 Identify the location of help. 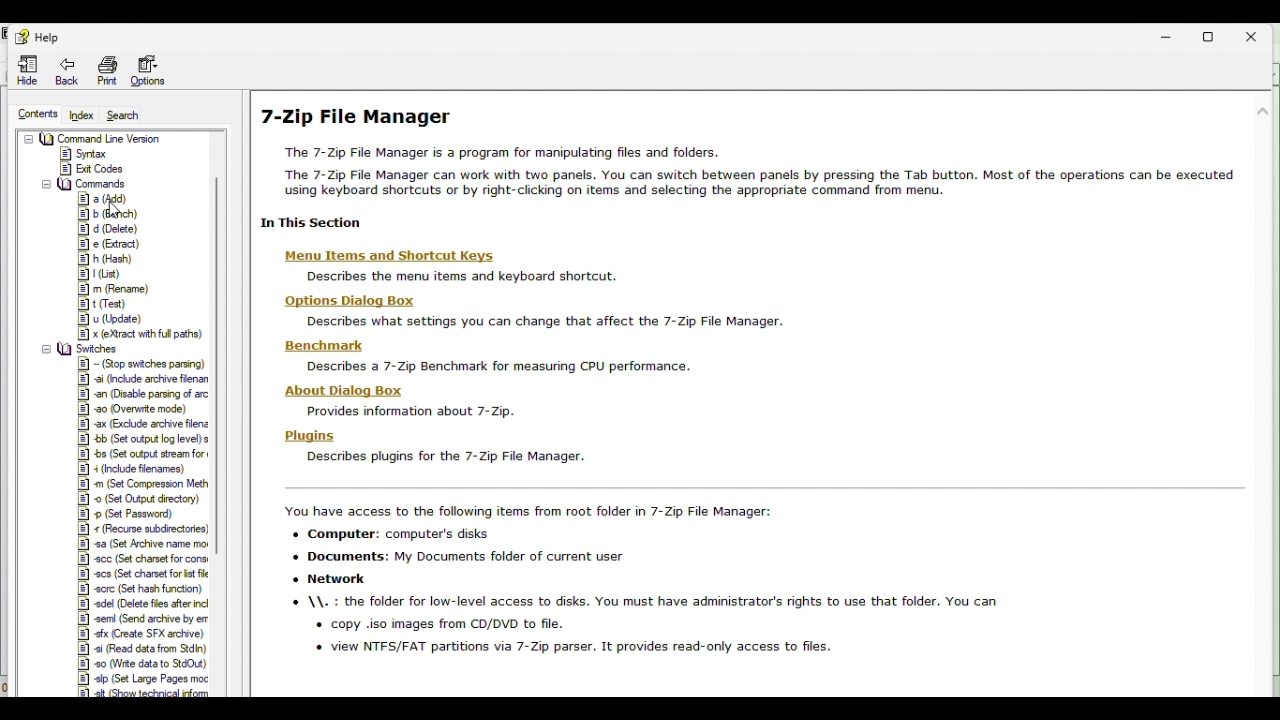
(43, 37).